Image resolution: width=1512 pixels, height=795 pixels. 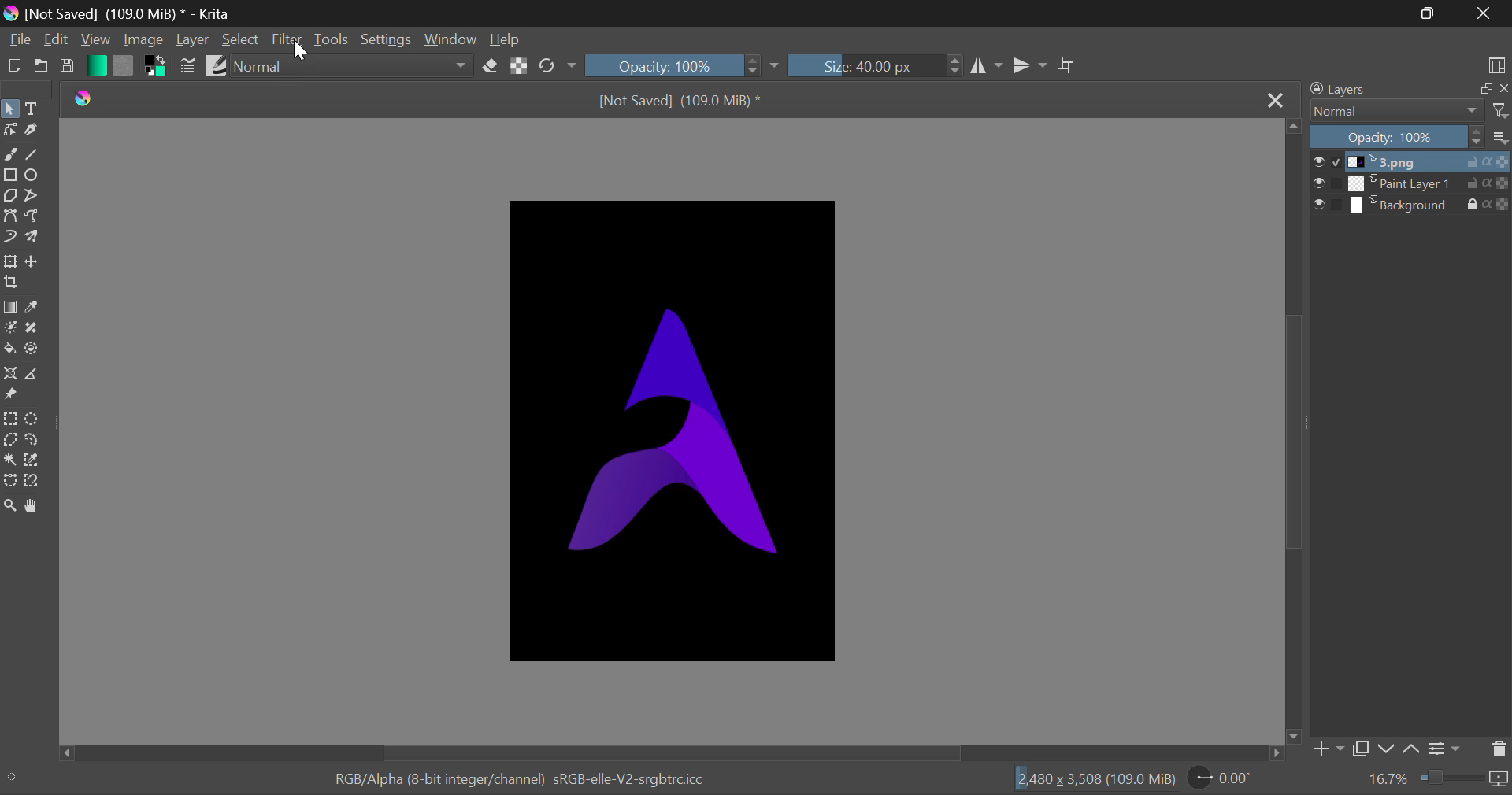 What do you see at coordinates (9, 131) in the screenshot?
I see `Edit Shapes` at bounding box center [9, 131].